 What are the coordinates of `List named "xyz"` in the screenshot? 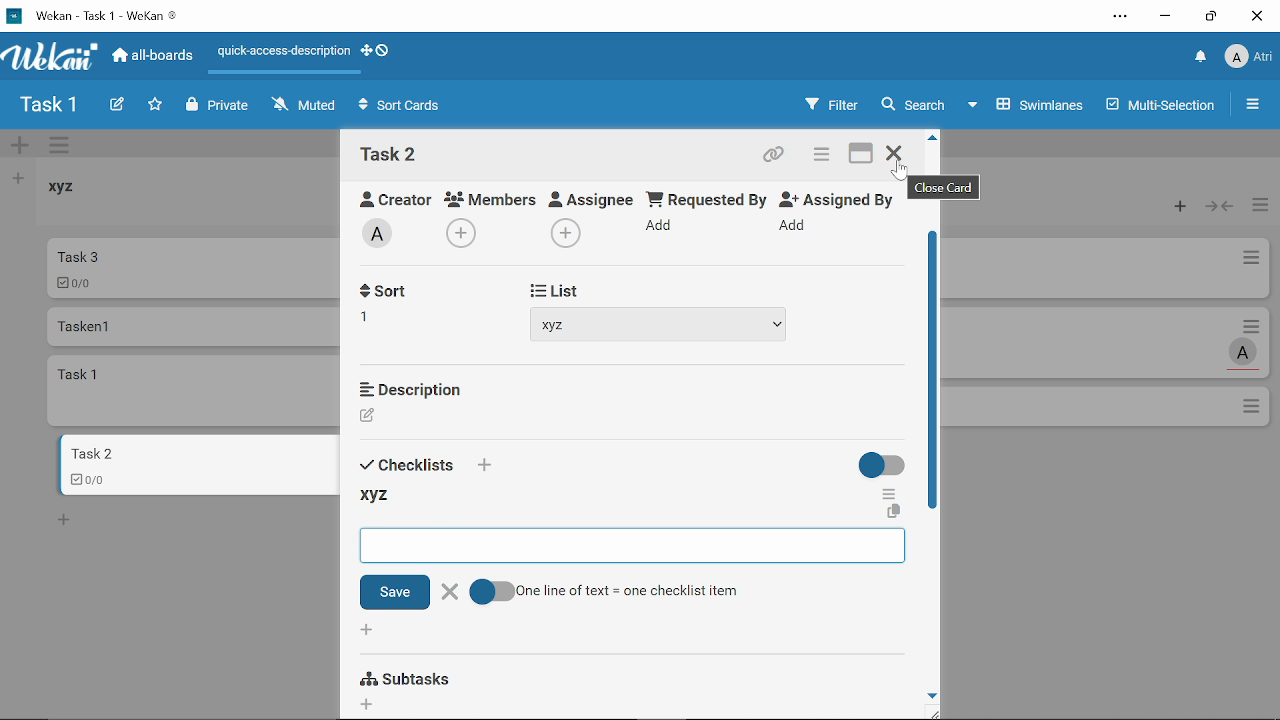 It's located at (75, 194).